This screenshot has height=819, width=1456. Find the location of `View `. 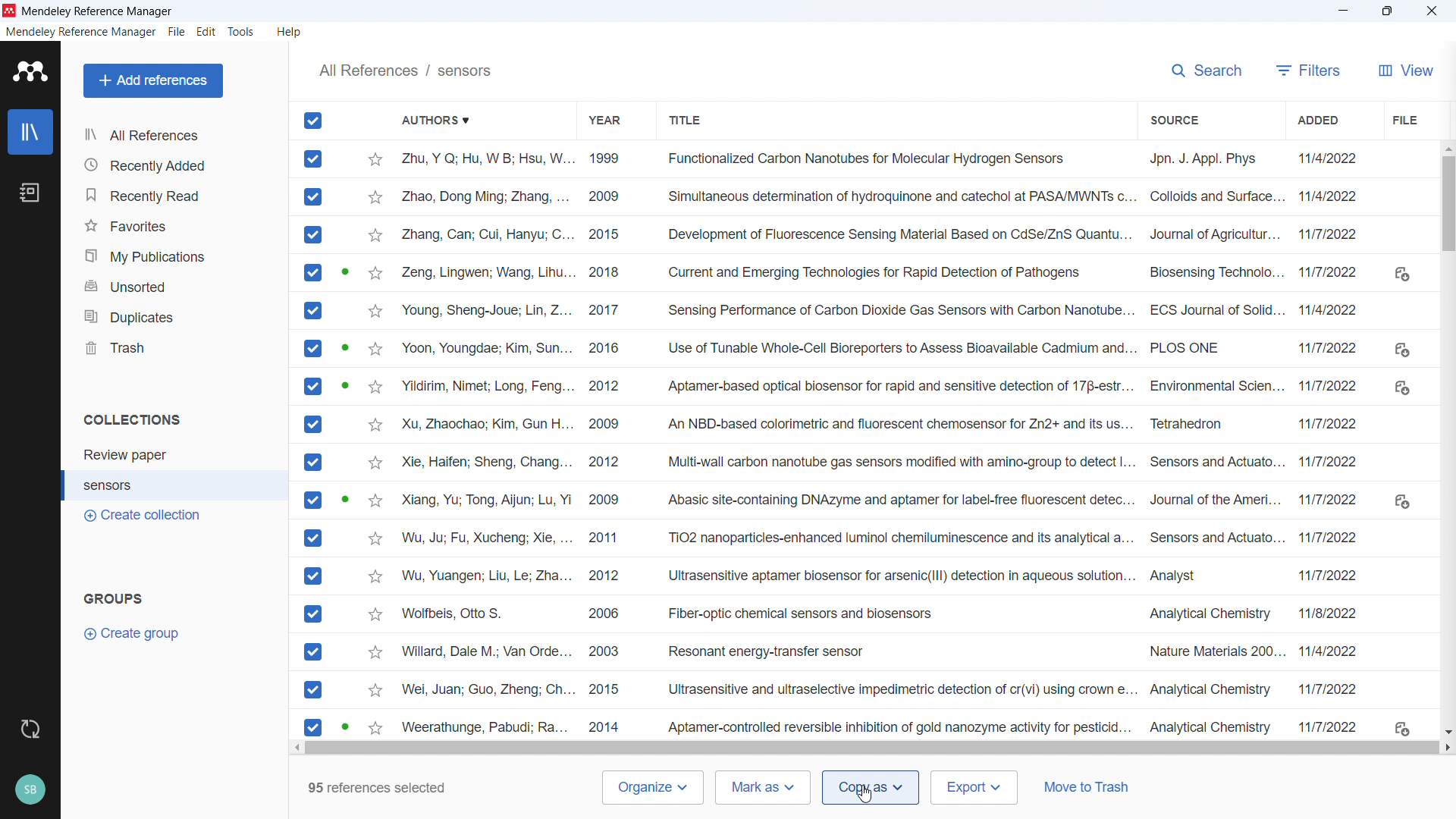

View  is located at coordinates (1407, 71).